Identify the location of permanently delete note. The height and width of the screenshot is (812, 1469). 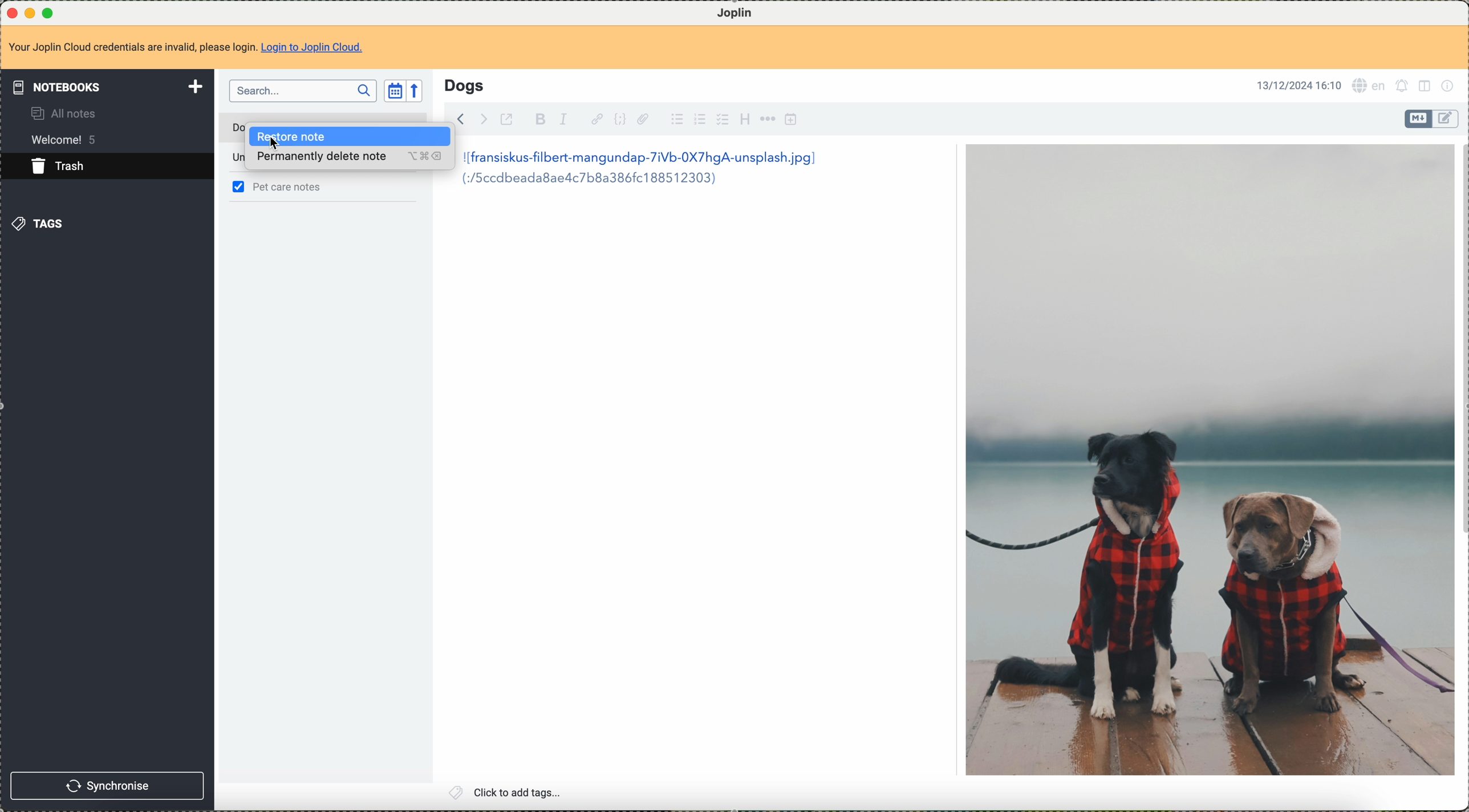
(348, 160).